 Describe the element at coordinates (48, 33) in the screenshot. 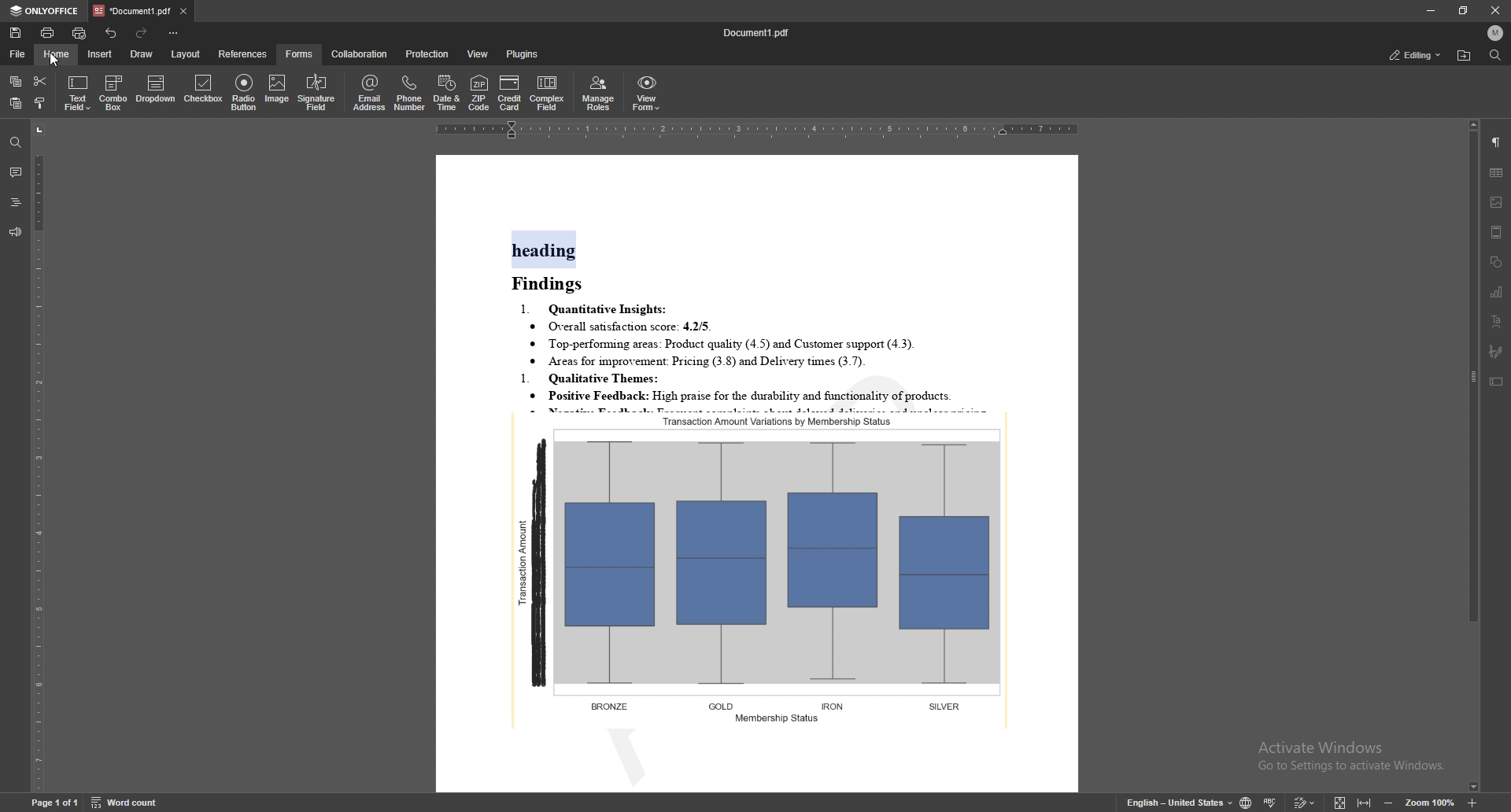

I see `print` at that location.